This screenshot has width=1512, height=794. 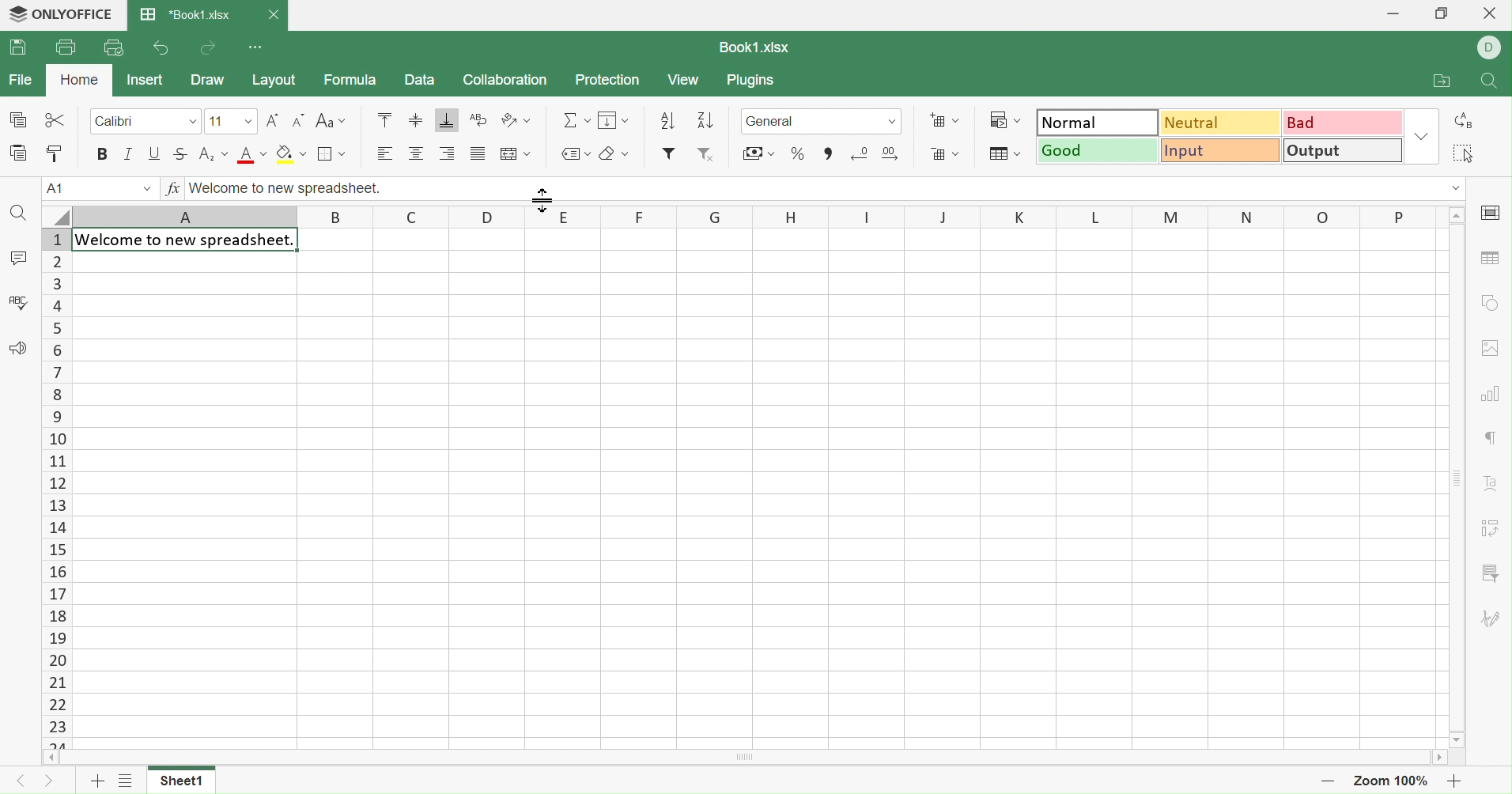 I want to click on Neutral, so click(x=1223, y=123).